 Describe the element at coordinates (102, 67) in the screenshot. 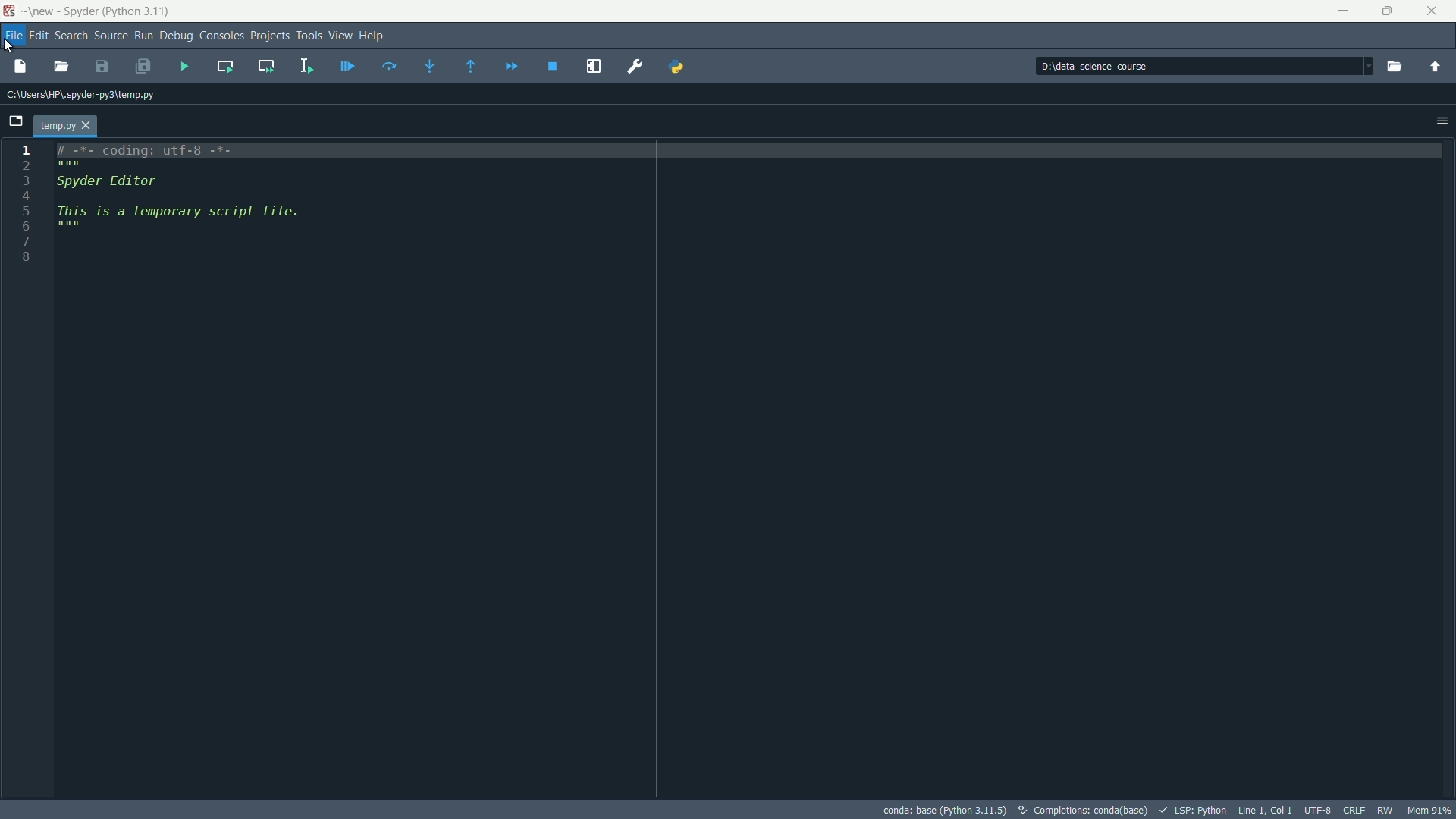

I see `save file` at that location.